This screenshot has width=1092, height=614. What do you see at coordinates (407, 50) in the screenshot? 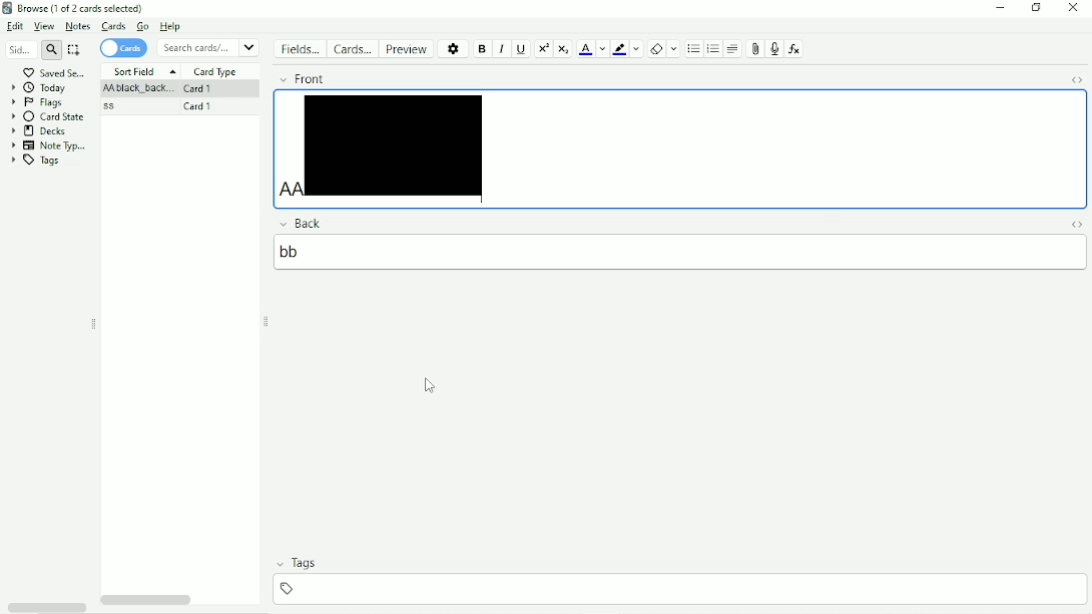
I see `Preview` at bounding box center [407, 50].